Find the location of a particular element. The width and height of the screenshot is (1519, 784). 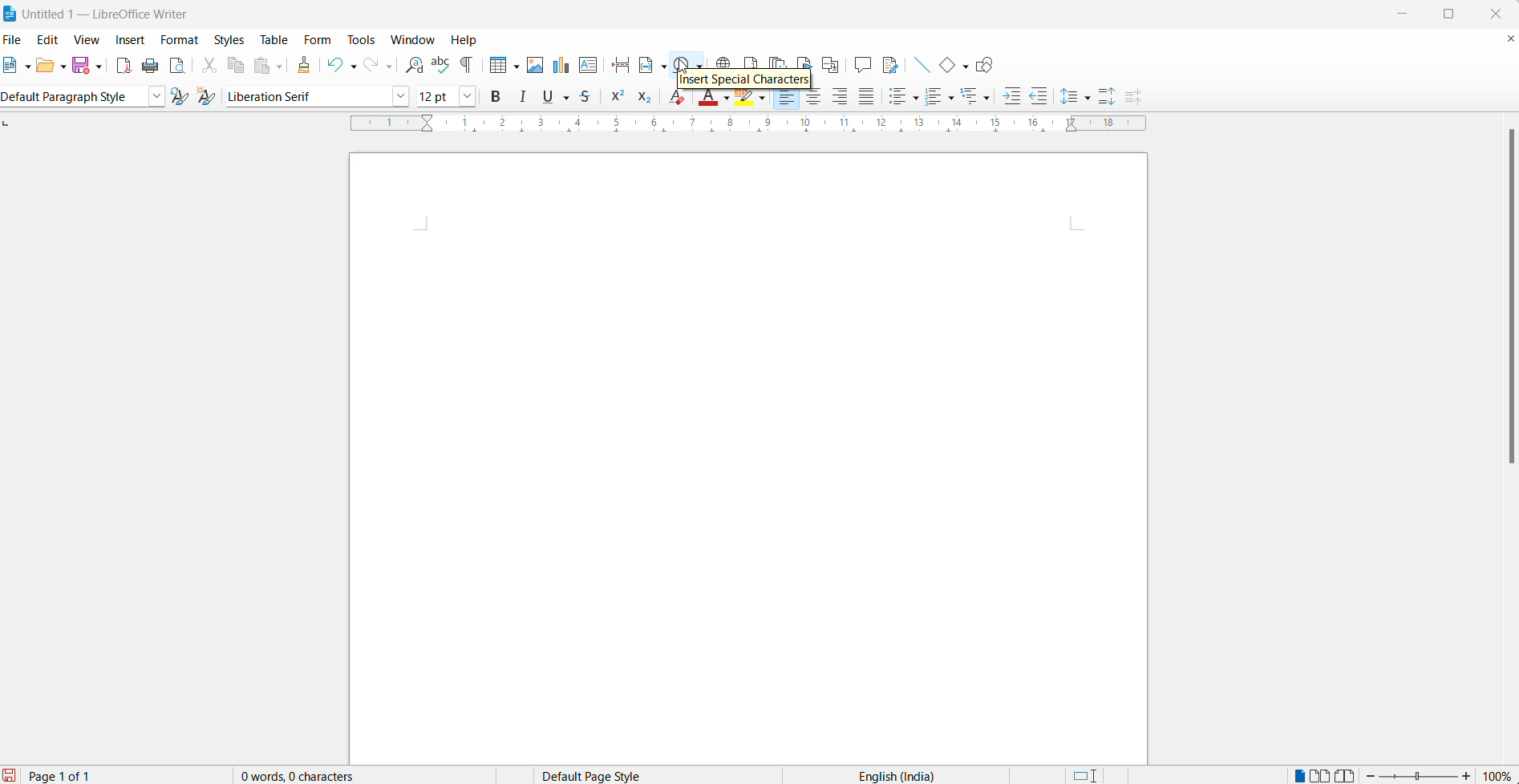

insert comments is located at coordinates (863, 67).